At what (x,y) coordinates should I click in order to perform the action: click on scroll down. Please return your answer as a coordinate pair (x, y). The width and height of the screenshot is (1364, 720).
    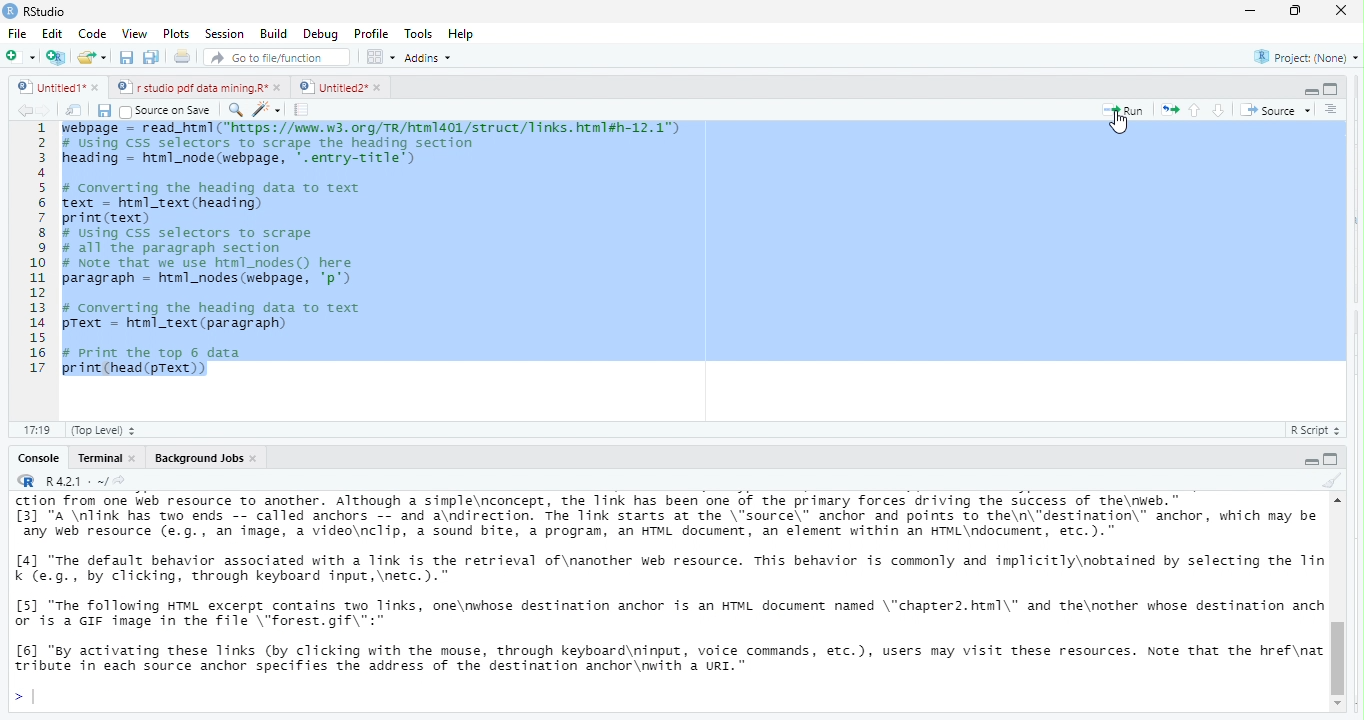
    Looking at the image, I should click on (1339, 705).